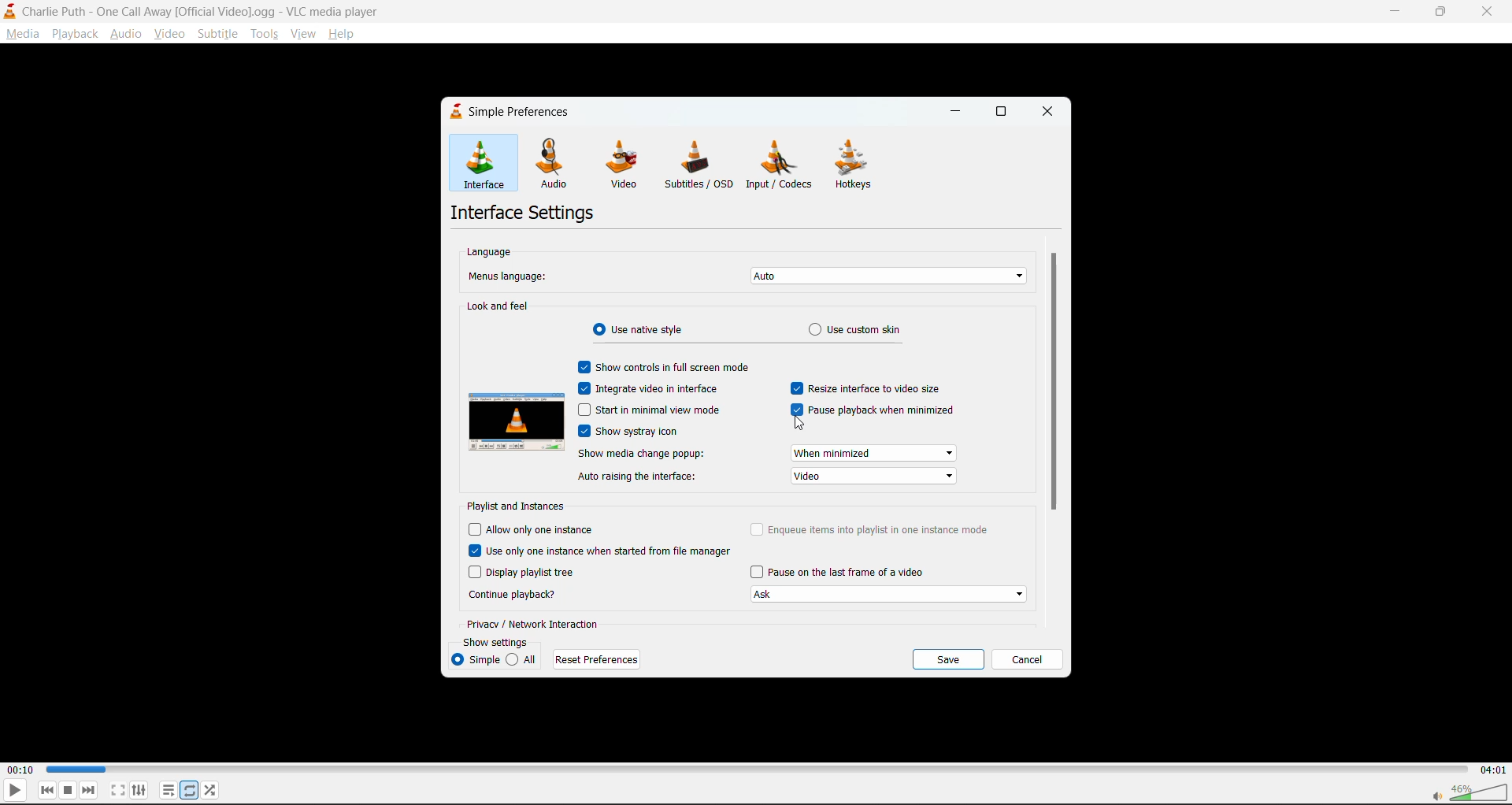  I want to click on minimize, so click(1392, 10).